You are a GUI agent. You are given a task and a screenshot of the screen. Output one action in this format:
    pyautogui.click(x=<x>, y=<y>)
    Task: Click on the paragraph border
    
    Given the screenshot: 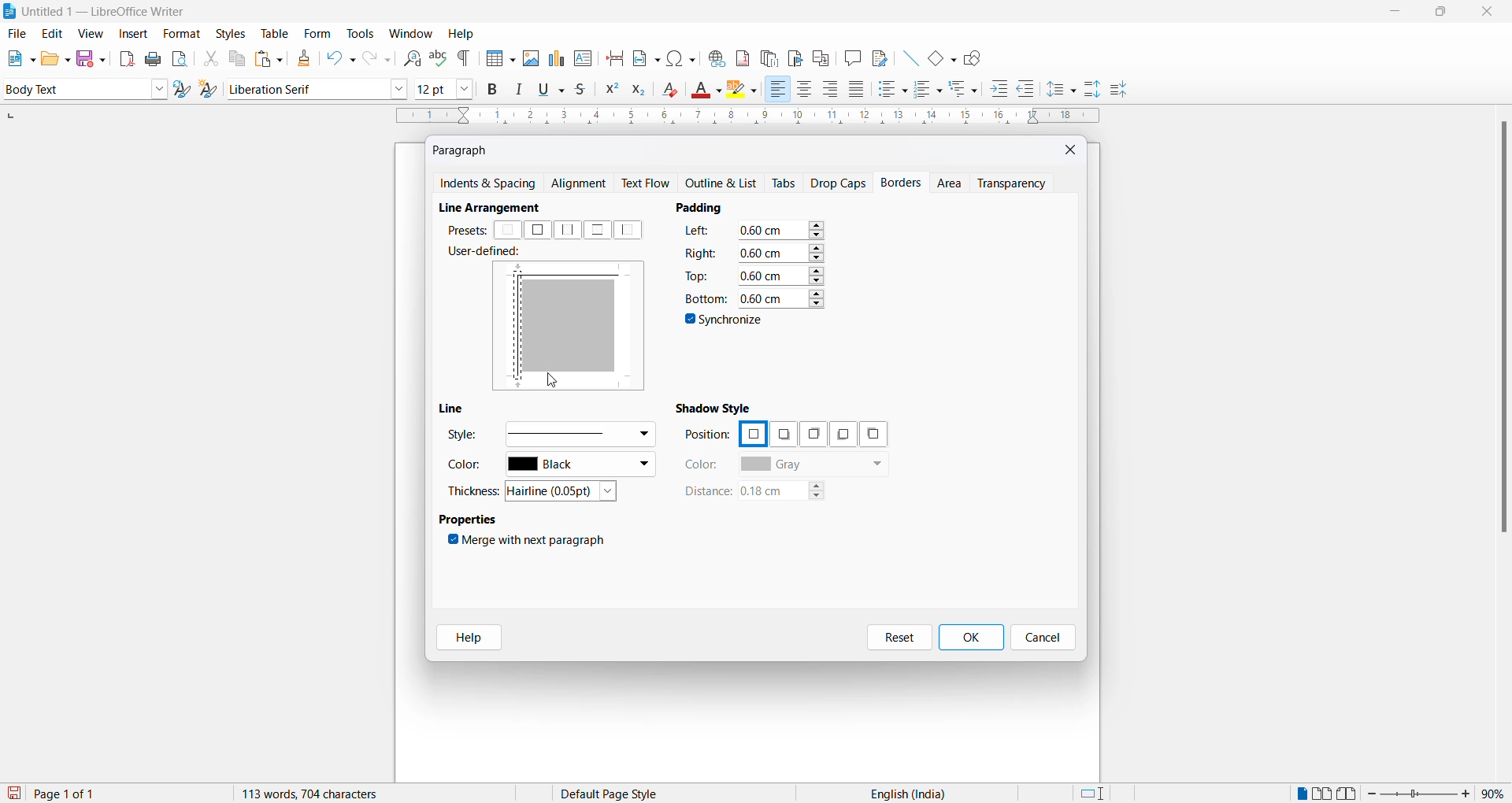 What is the action you would take?
    pyautogui.click(x=517, y=328)
    